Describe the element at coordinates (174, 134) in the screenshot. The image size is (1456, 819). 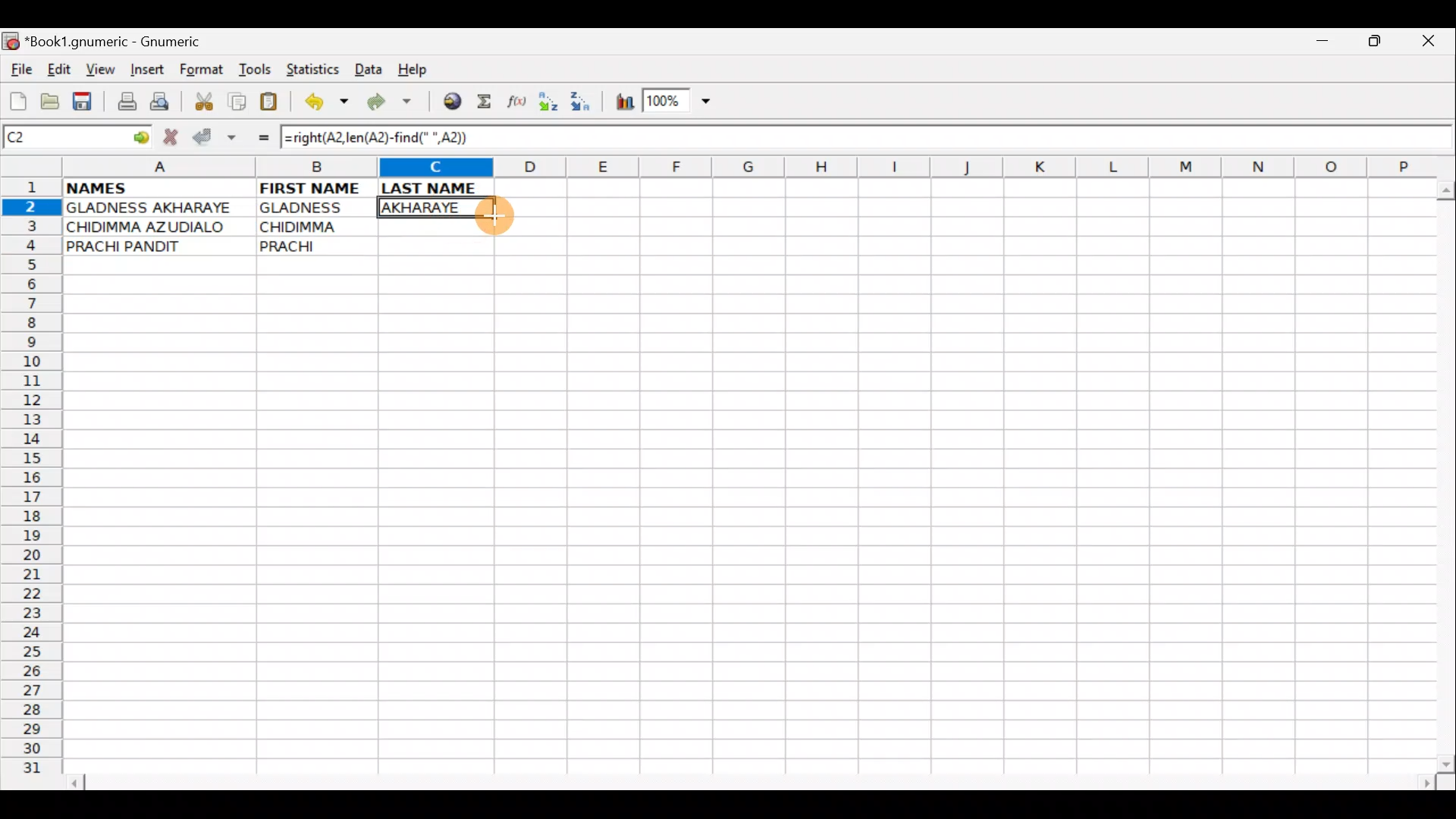
I see `Cancel change` at that location.